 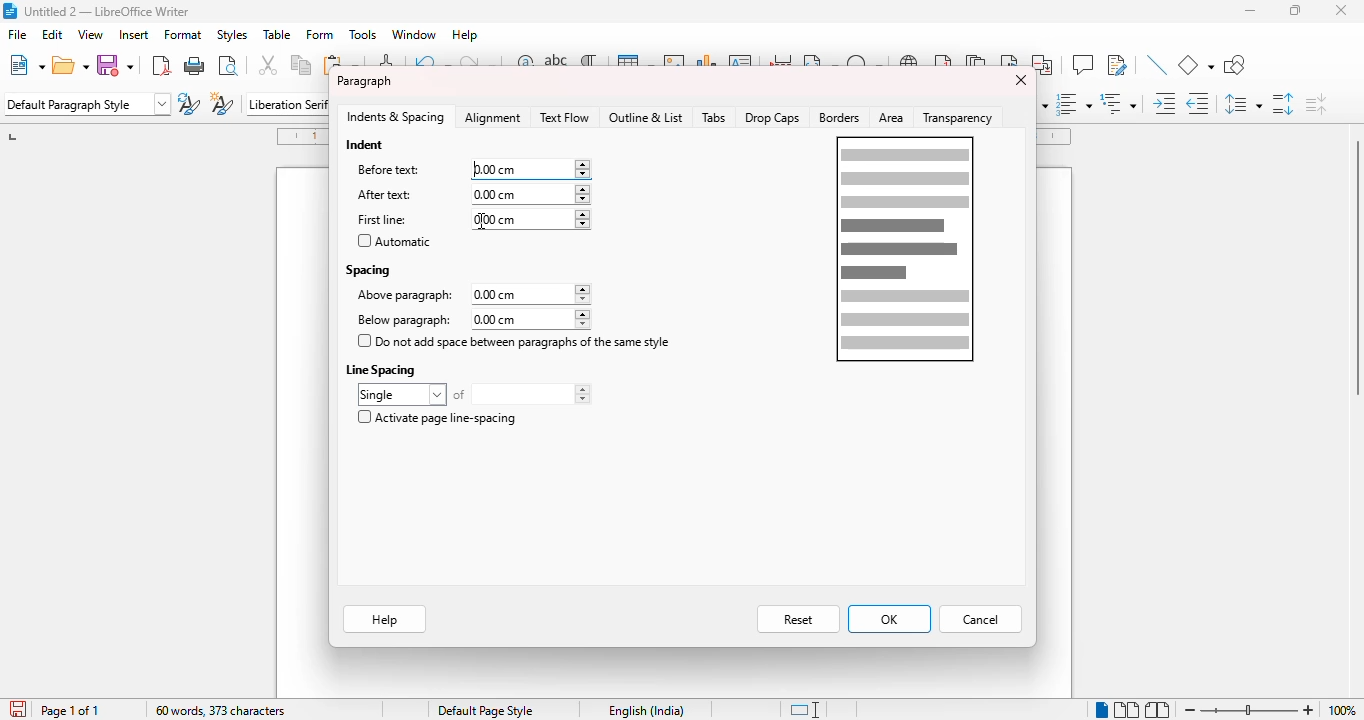 What do you see at coordinates (1158, 709) in the screenshot?
I see `book view` at bounding box center [1158, 709].